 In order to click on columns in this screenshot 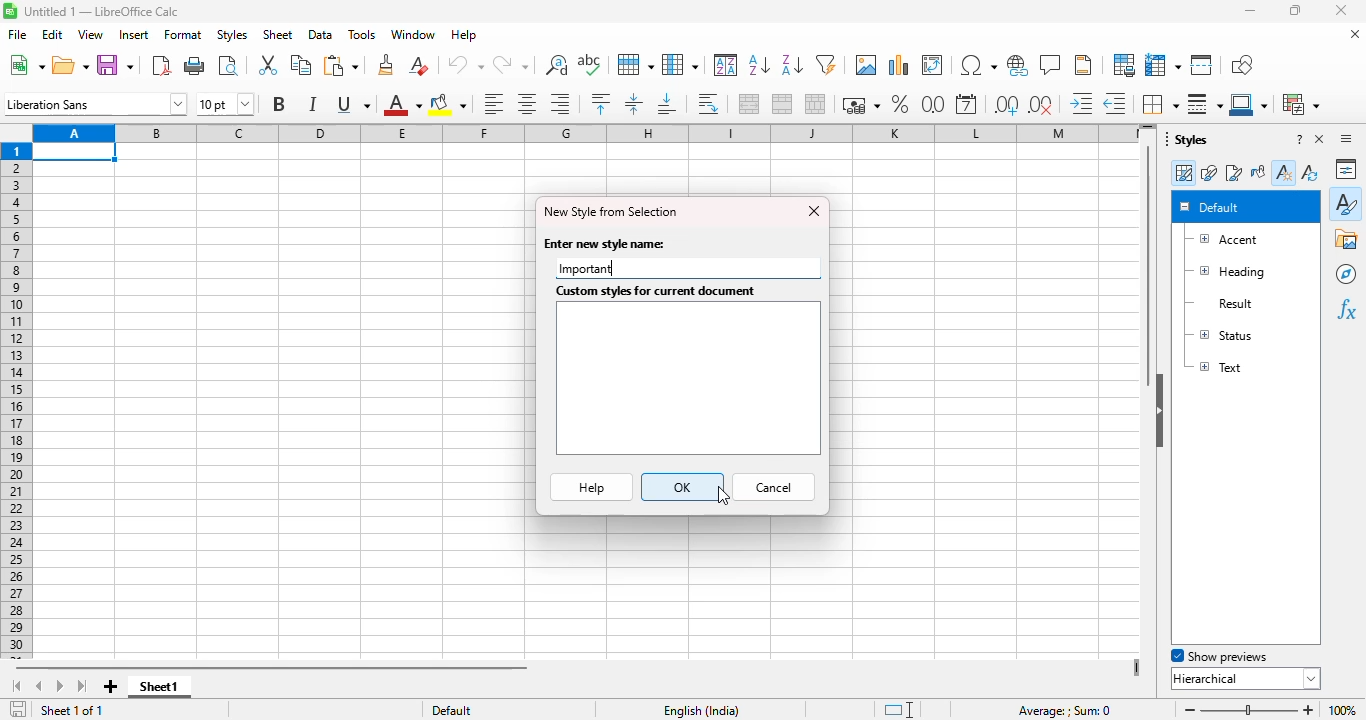, I will do `click(581, 133)`.